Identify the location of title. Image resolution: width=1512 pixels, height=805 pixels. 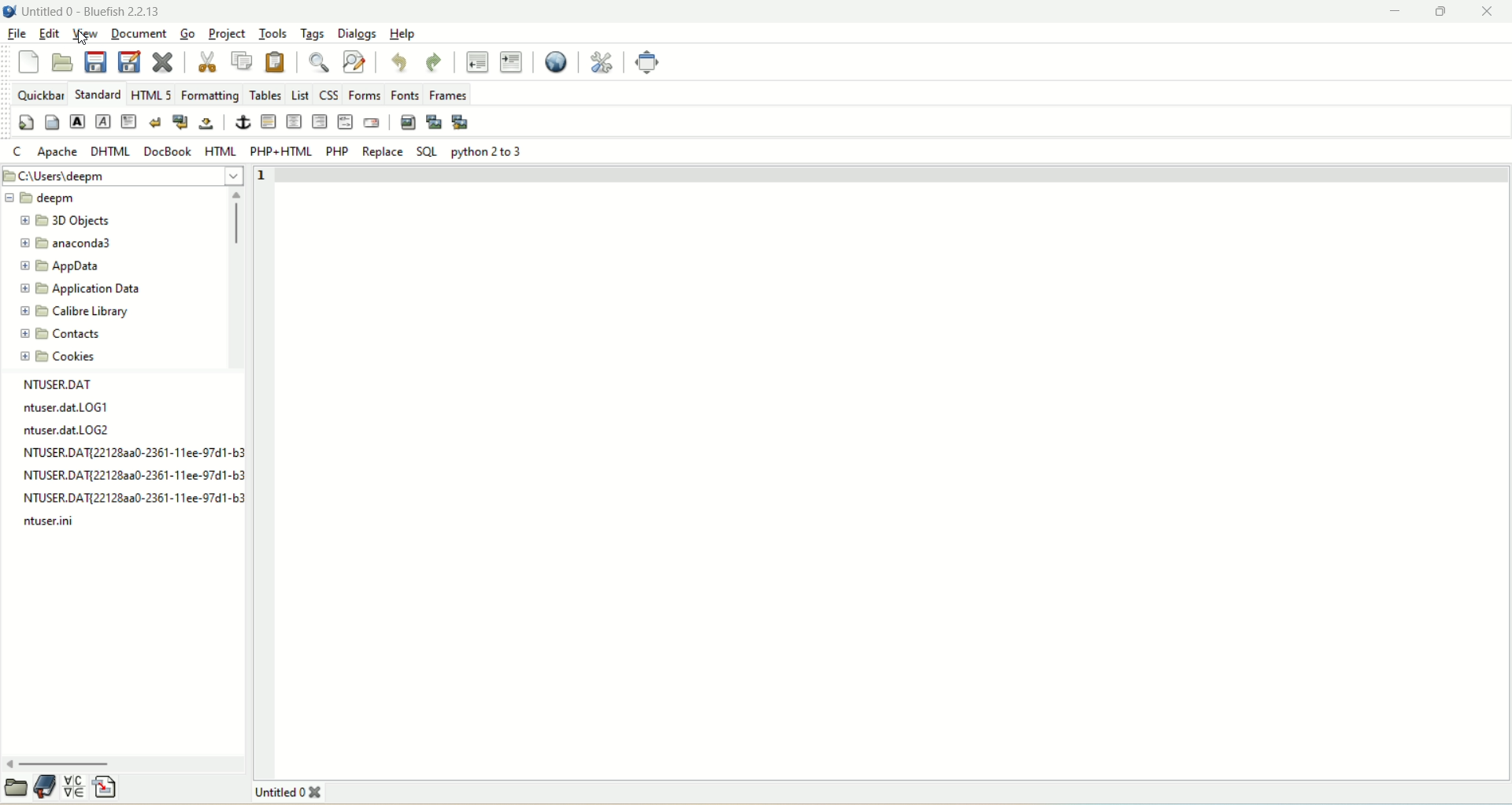
(91, 13).